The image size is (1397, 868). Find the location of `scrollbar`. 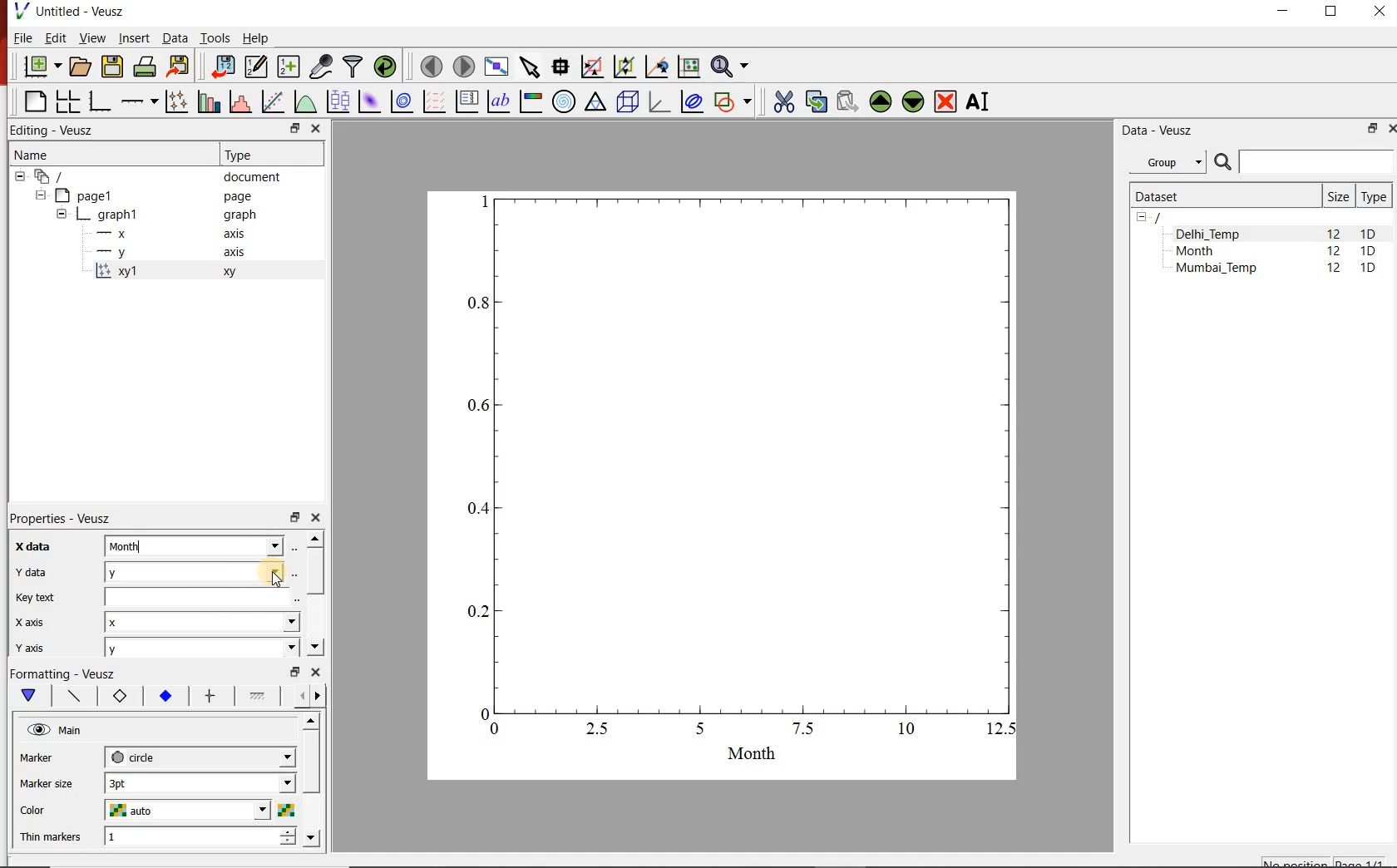

scrollbar is located at coordinates (313, 782).